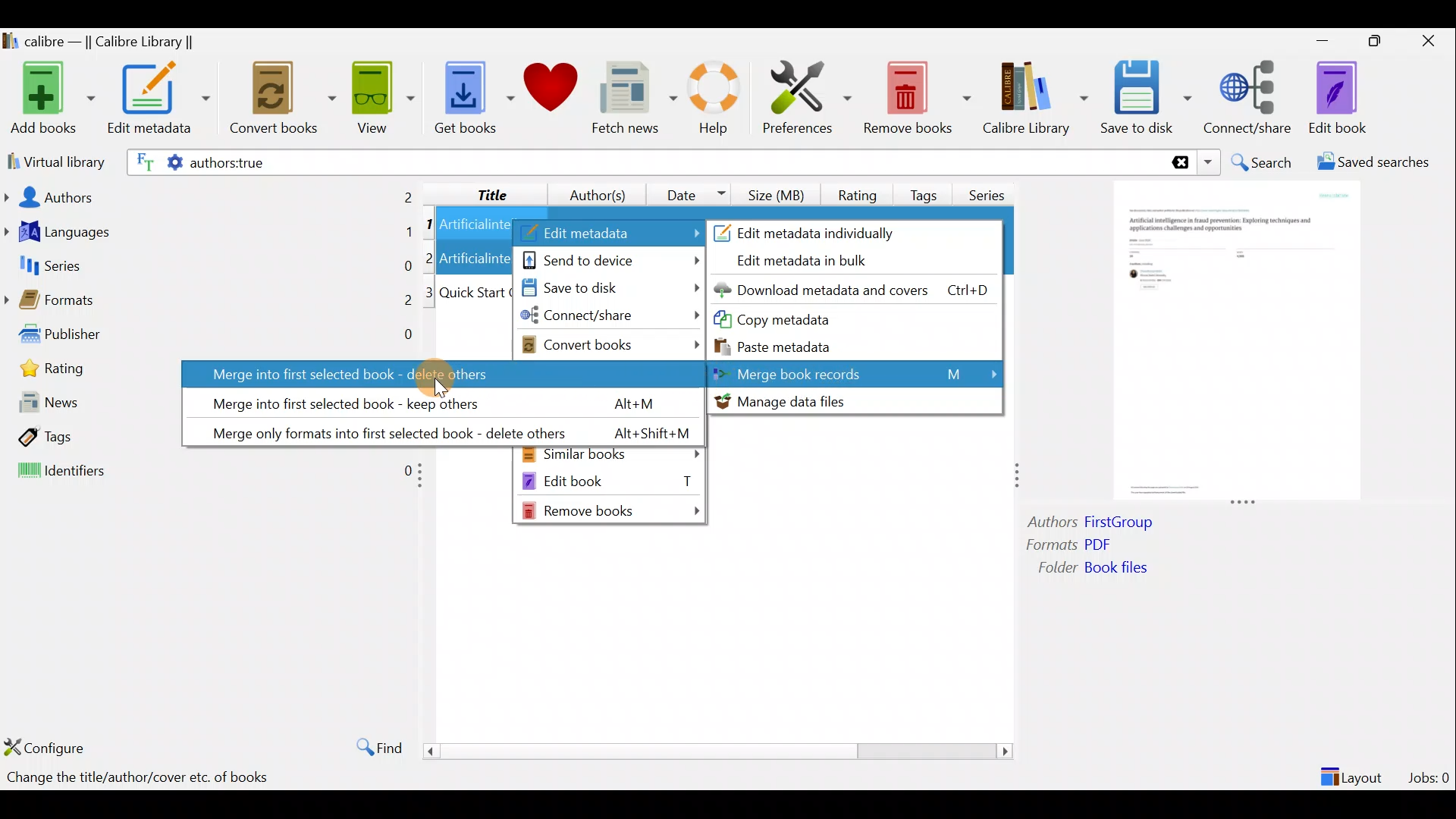 This screenshot has width=1456, height=819. Describe the element at coordinates (609, 234) in the screenshot. I see `Edit metadata` at that location.